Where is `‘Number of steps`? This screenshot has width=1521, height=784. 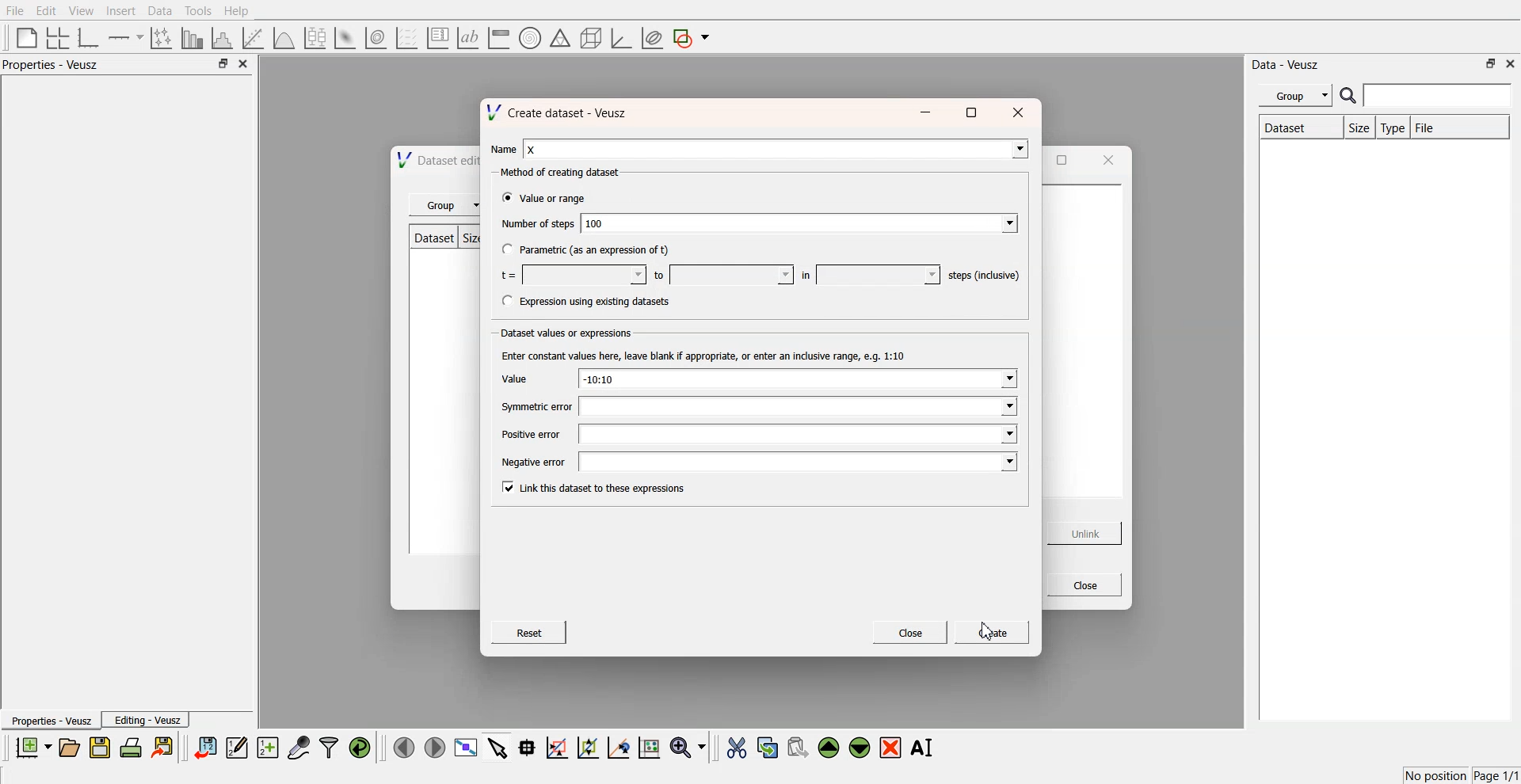
‘Number of steps is located at coordinates (537, 225).